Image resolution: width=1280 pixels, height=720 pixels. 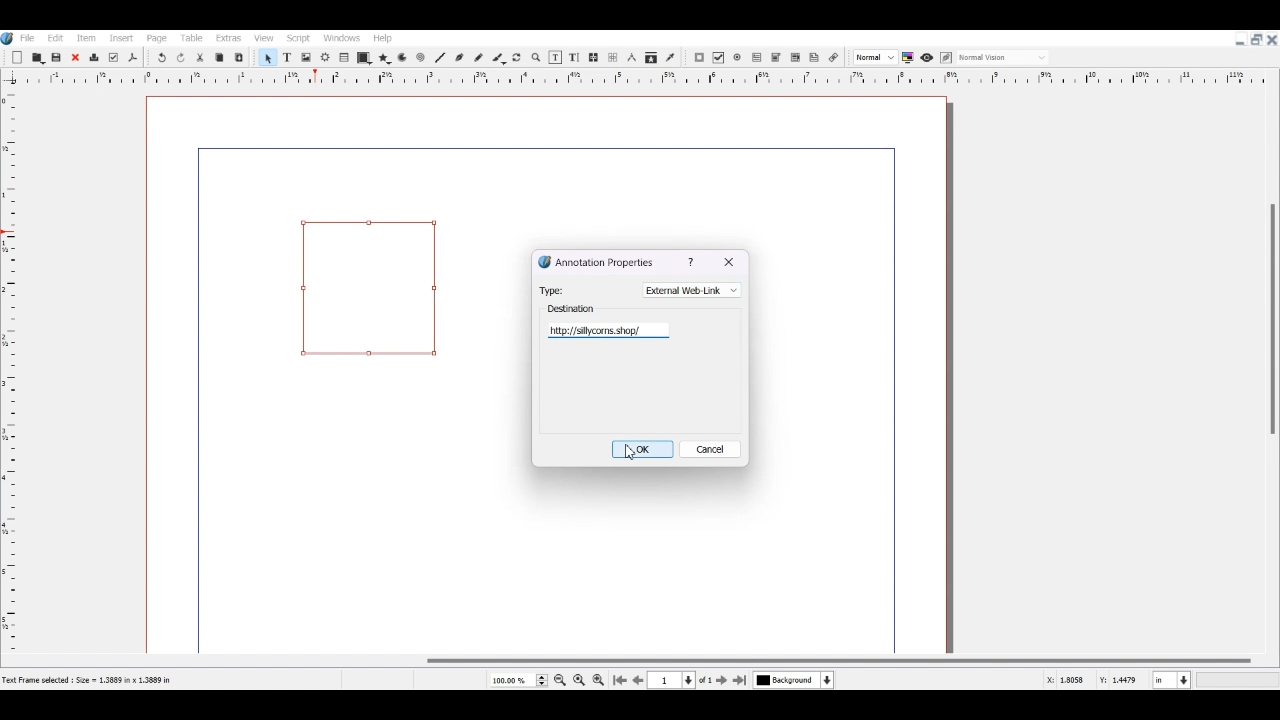 What do you see at coordinates (651, 59) in the screenshot?
I see `Copy item properties` at bounding box center [651, 59].